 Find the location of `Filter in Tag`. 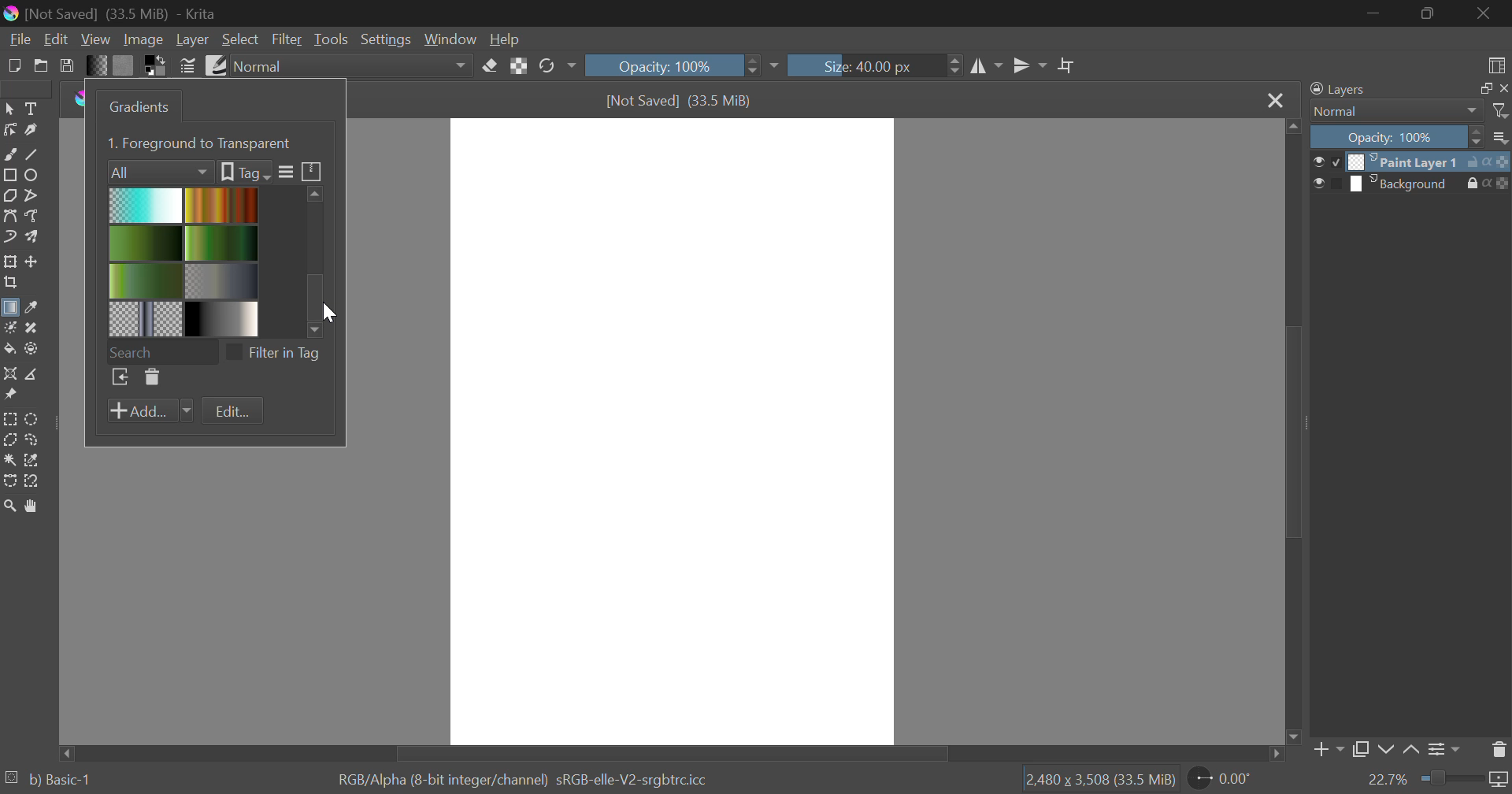

Filter in Tag is located at coordinates (278, 351).